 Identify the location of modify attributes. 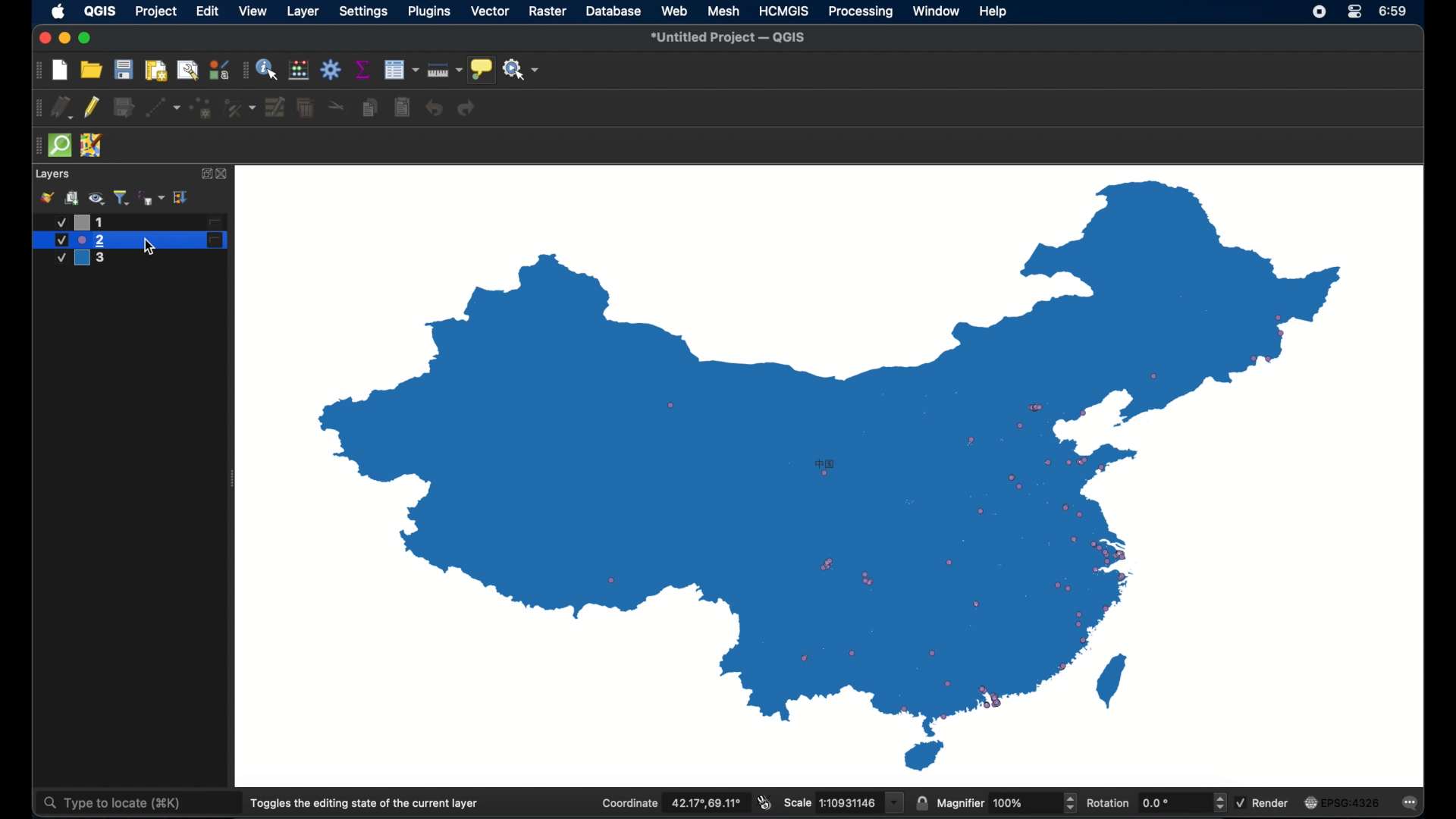
(275, 107).